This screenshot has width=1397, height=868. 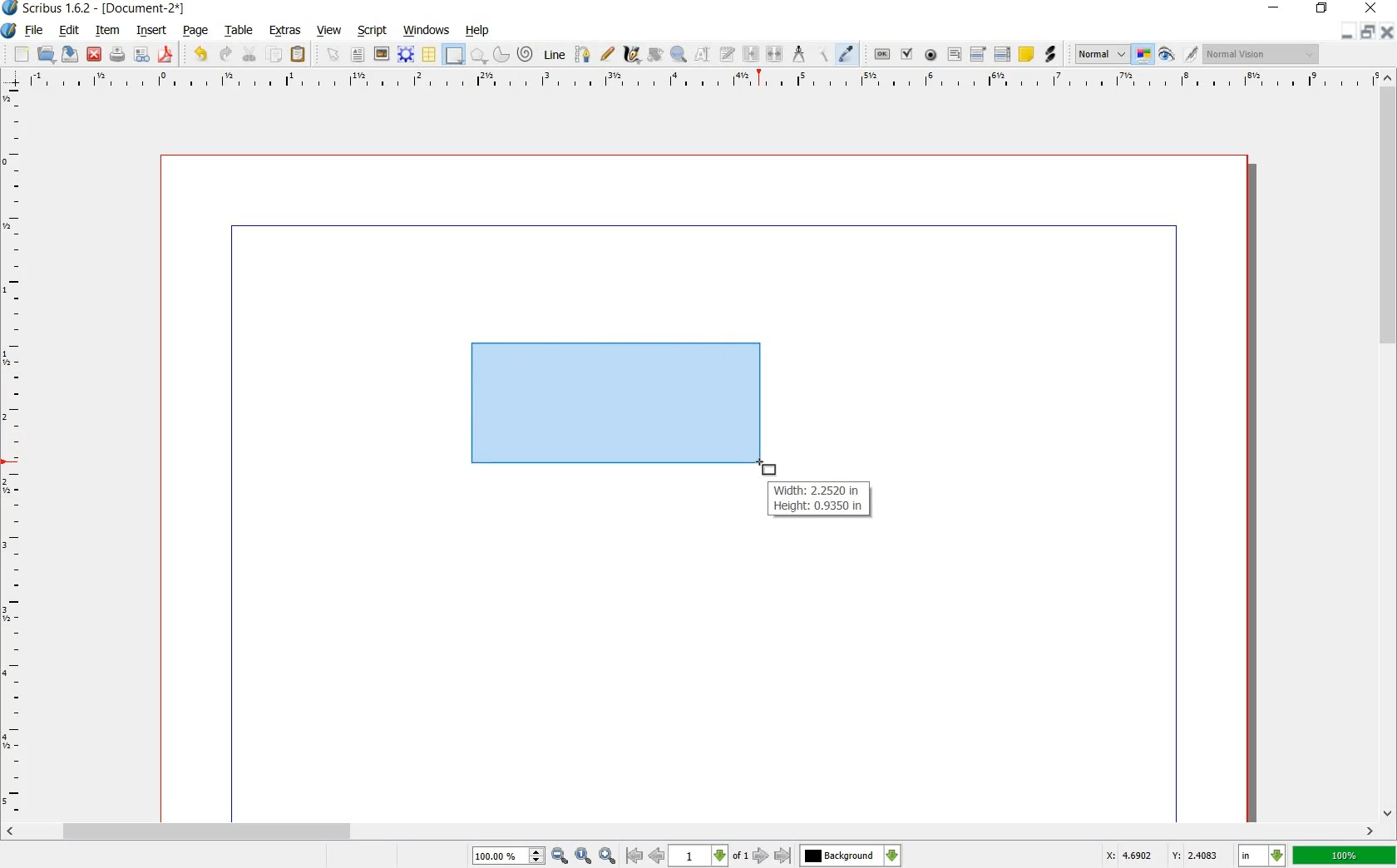 What do you see at coordinates (751, 55) in the screenshot?
I see `LINK TEXT FRAMES` at bounding box center [751, 55].